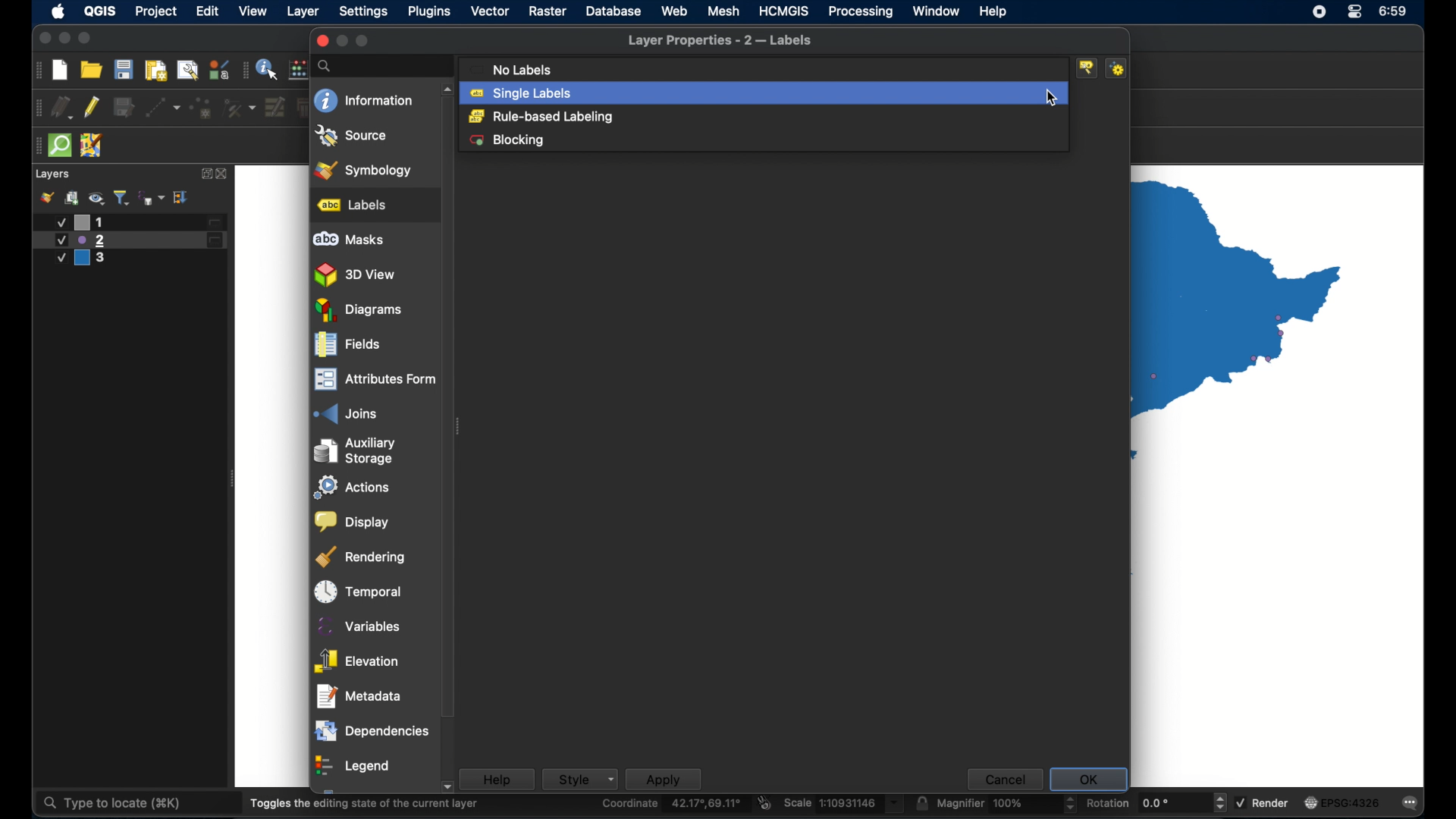  What do you see at coordinates (579, 779) in the screenshot?
I see `style` at bounding box center [579, 779].